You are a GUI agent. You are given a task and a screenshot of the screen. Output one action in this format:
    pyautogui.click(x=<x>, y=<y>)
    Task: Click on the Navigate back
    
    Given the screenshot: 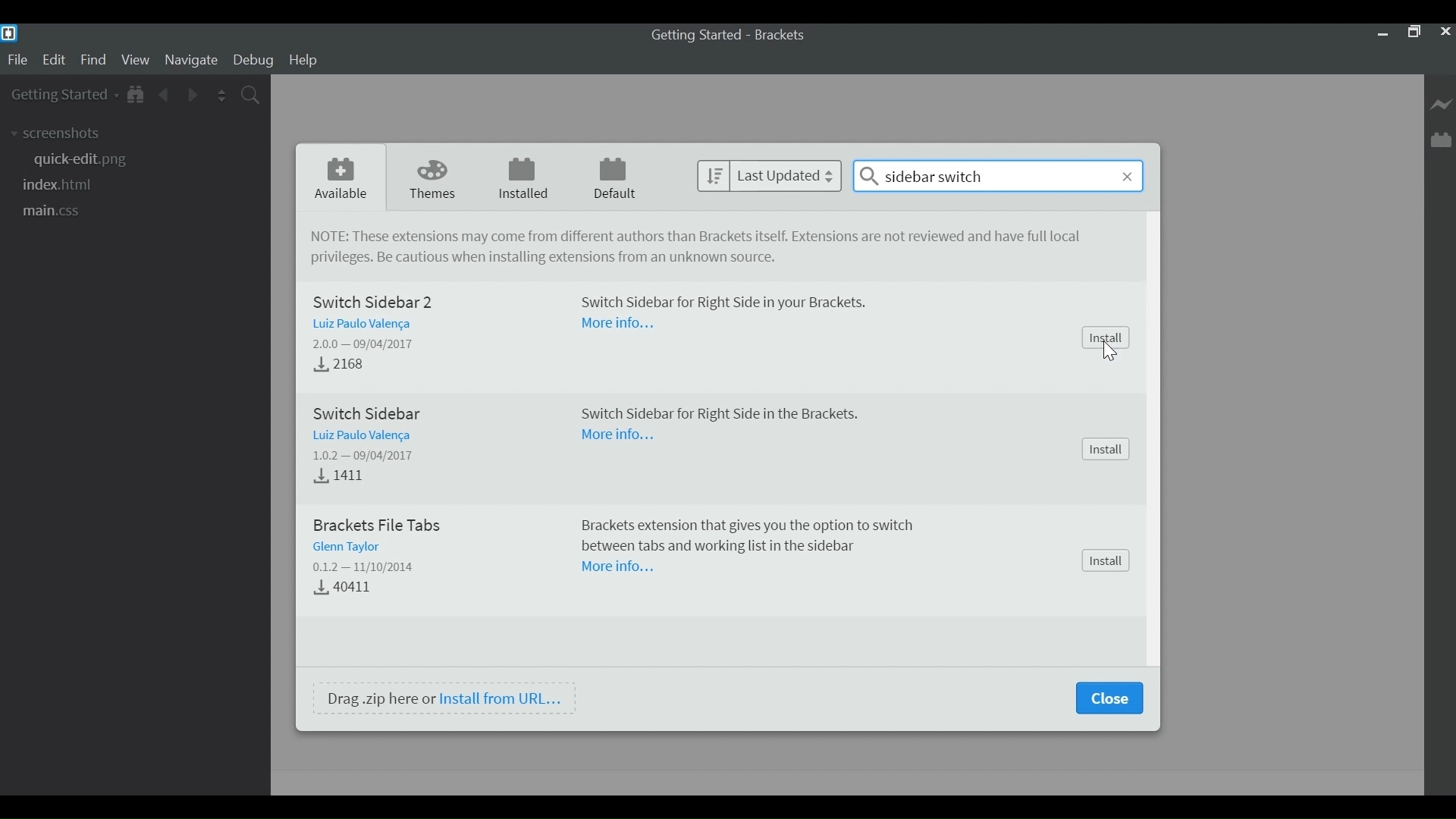 What is the action you would take?
    pyautogui.click(x=163, y=96)
    